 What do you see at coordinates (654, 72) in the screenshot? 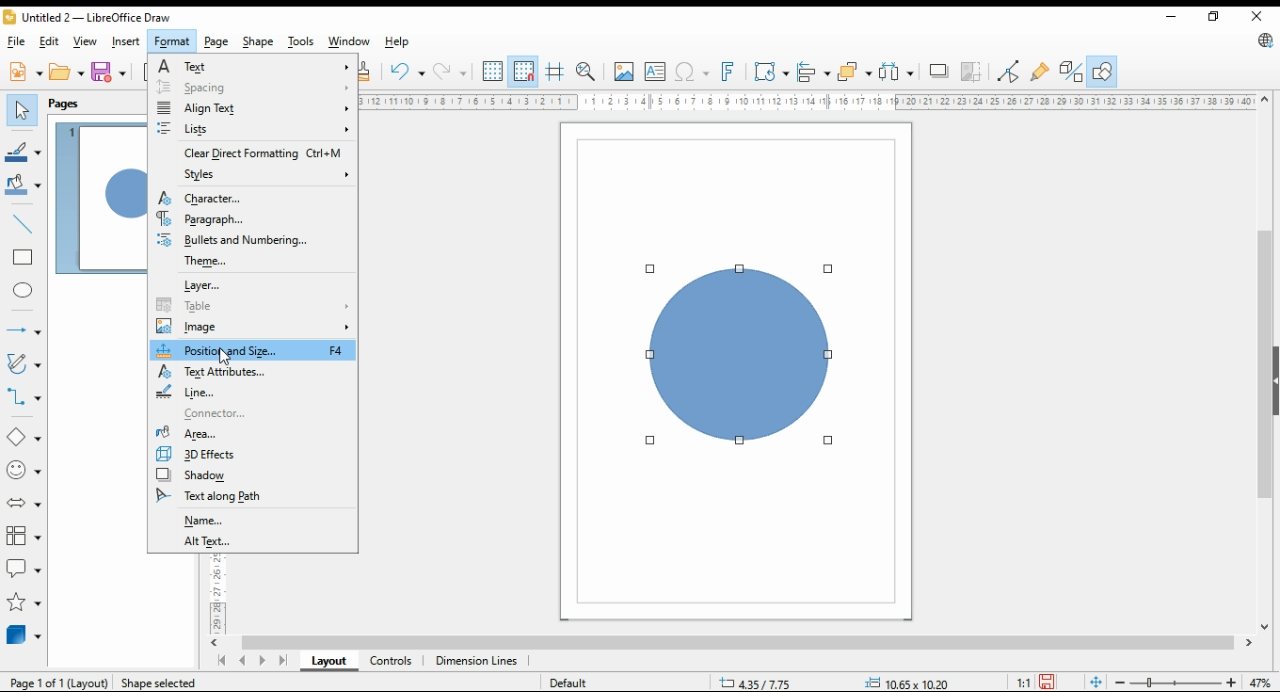
I see `insert text box` at bounding box center [654, 72].